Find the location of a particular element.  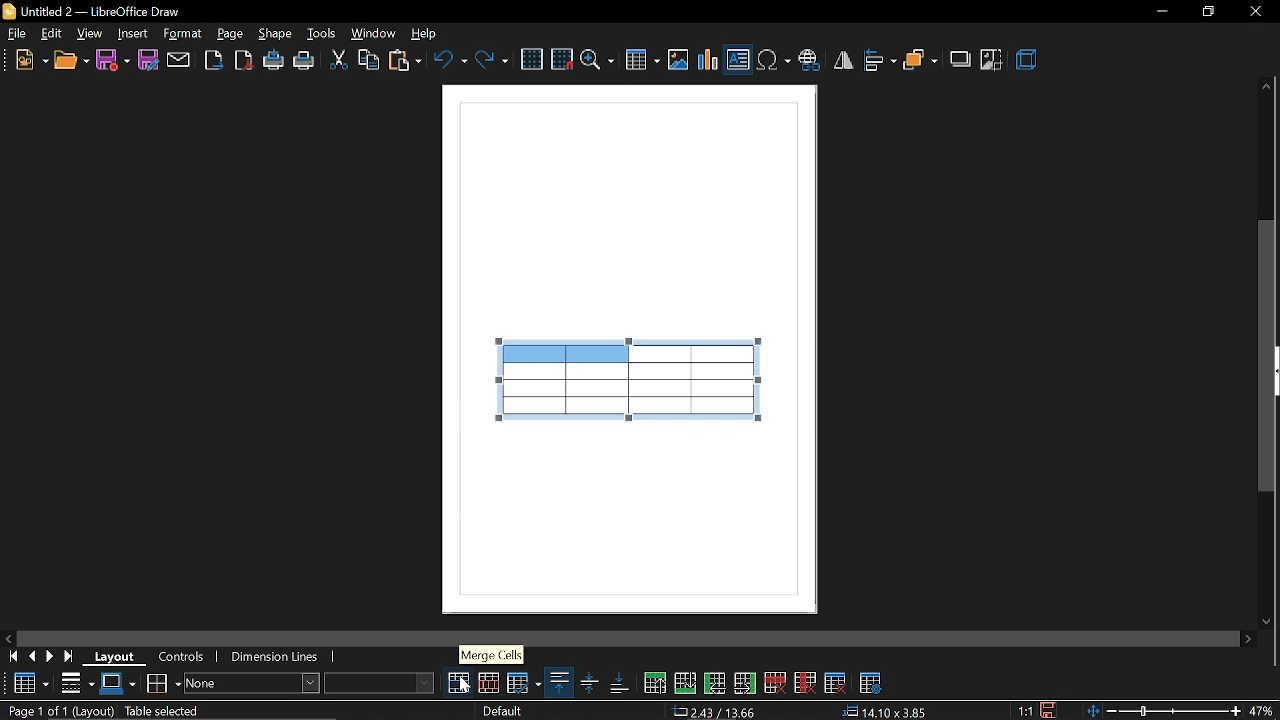

3d effects is located at coordinates (1027, 60).